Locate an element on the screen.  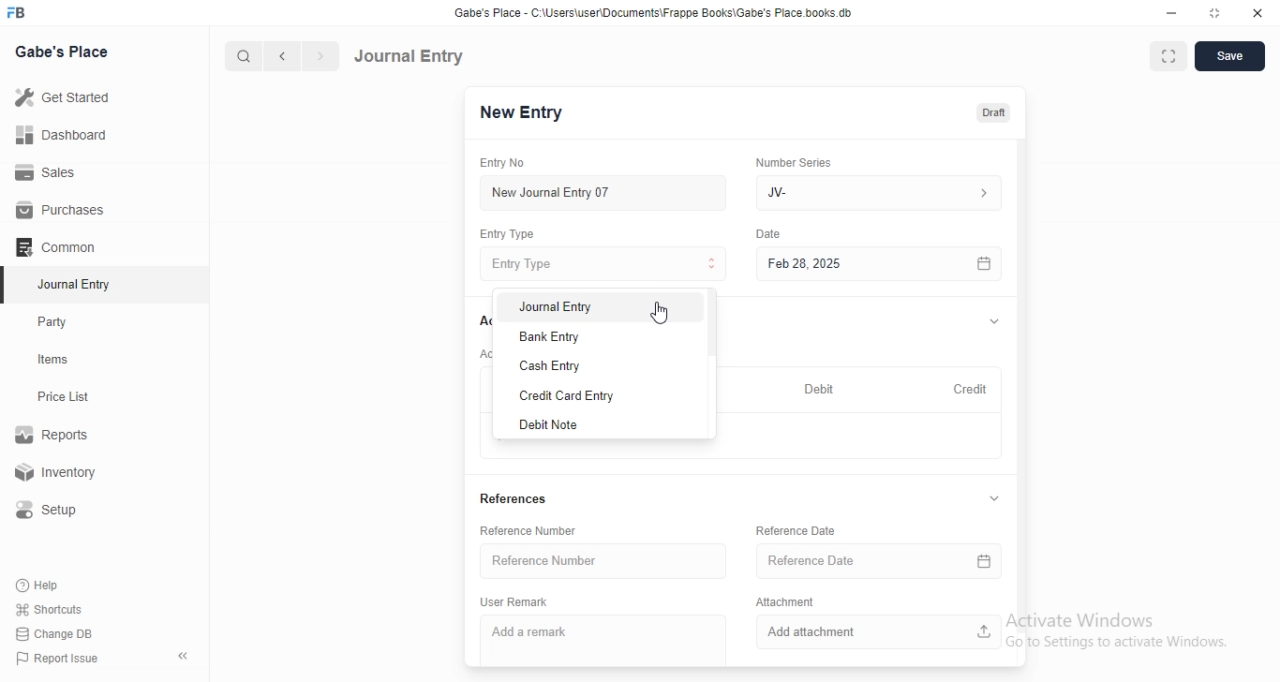
New Entry is located at coordinates (521, 113).